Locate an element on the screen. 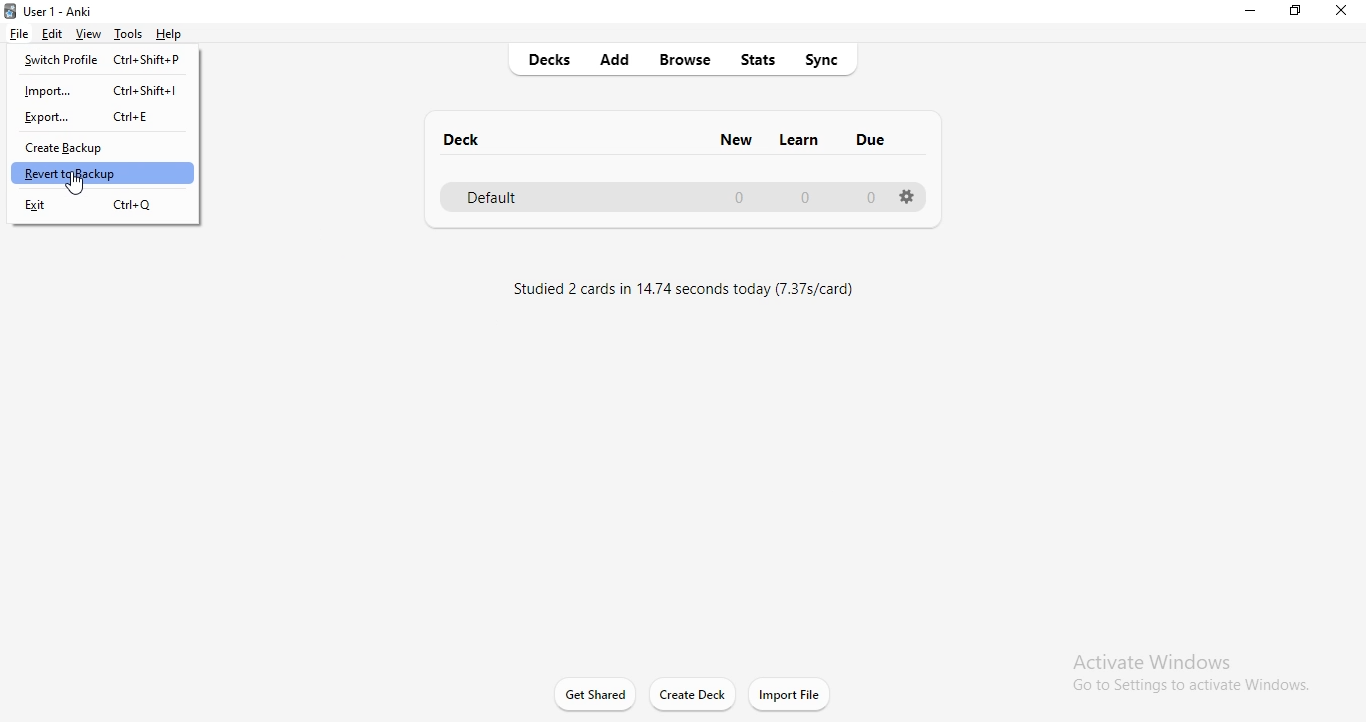 The width and height of the screenshot is (1366, 722). help is located at coordinates (174, 35).